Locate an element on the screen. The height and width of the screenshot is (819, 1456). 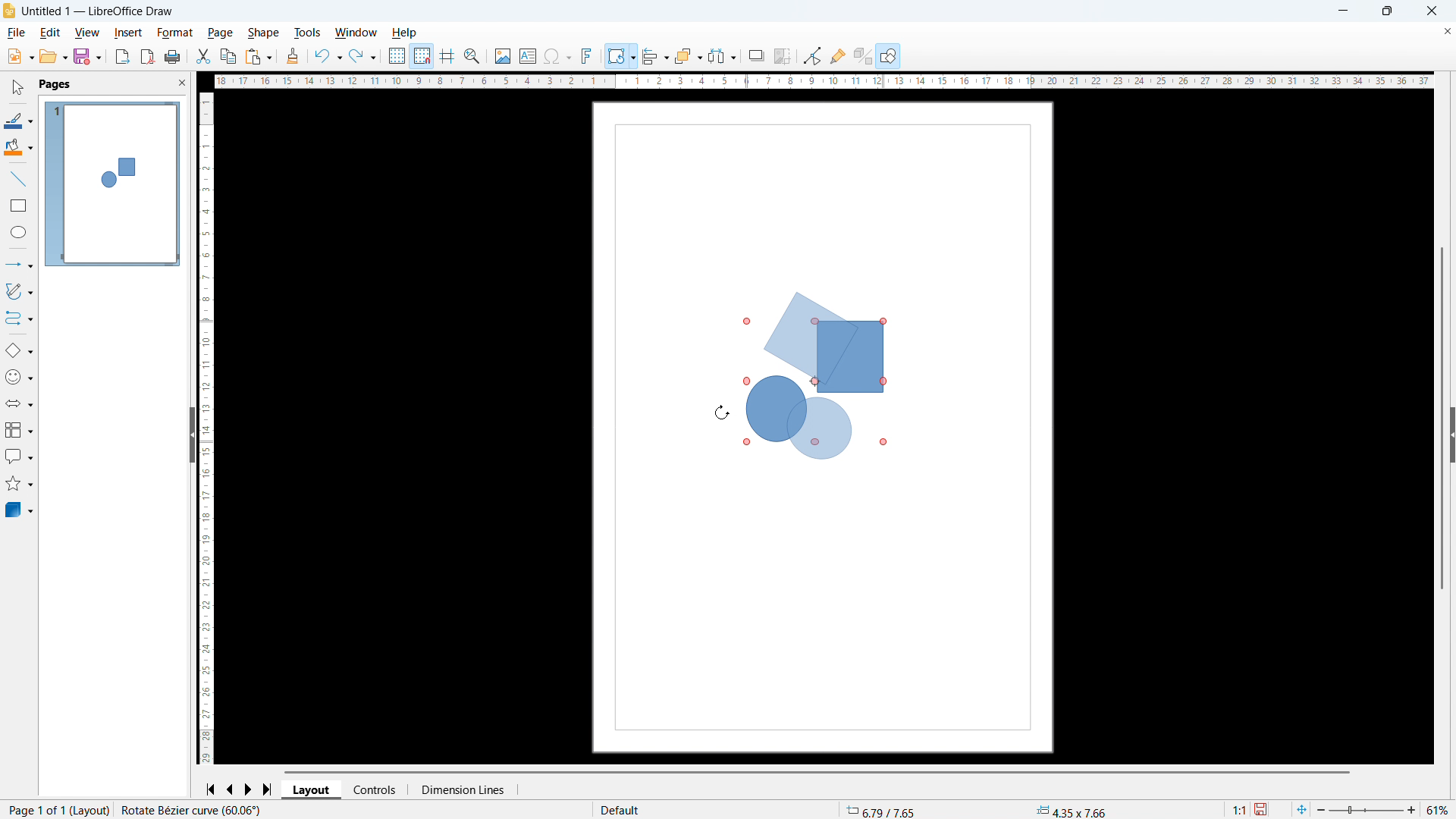
Connectors  is located at coordinates (20, 318).